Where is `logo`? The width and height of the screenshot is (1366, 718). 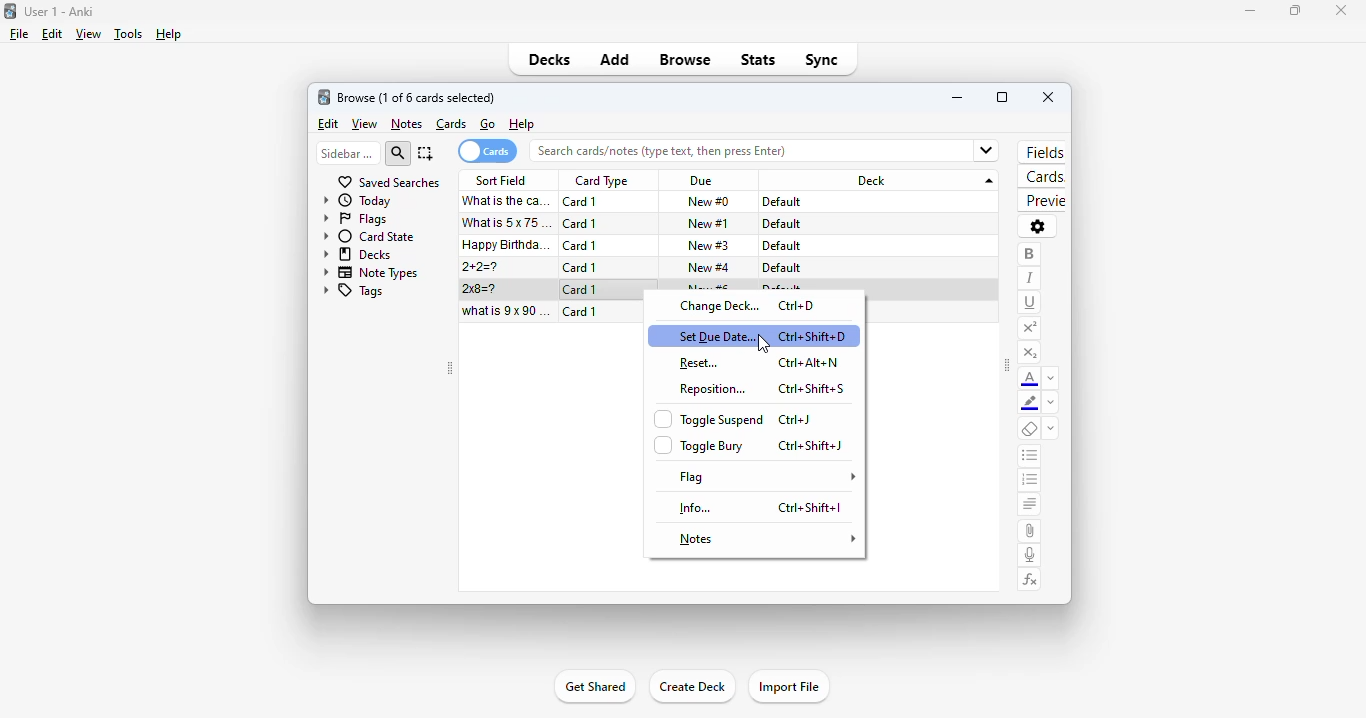 logo is located at coordinates (10, 10).